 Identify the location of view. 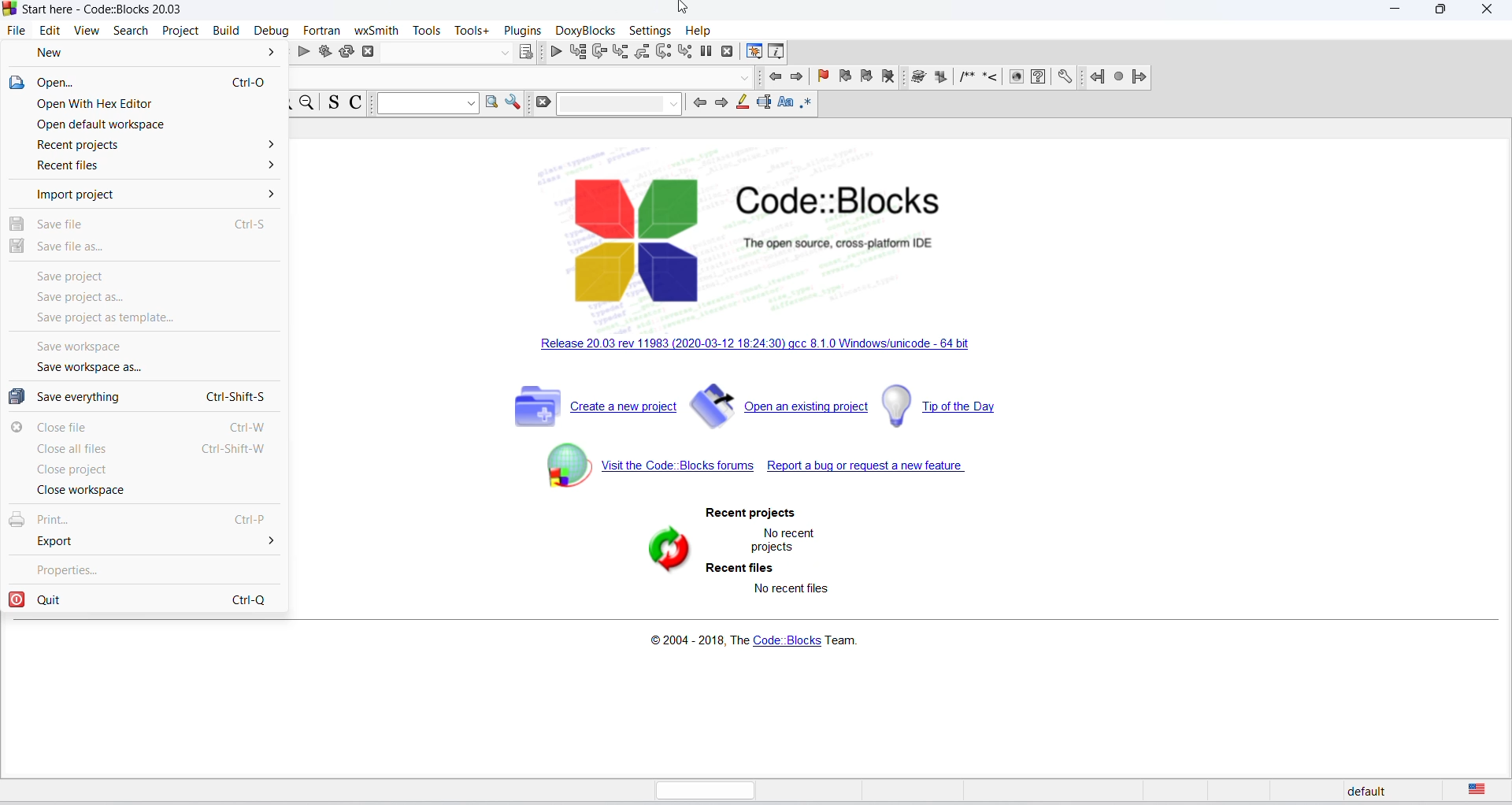
(89, 31).